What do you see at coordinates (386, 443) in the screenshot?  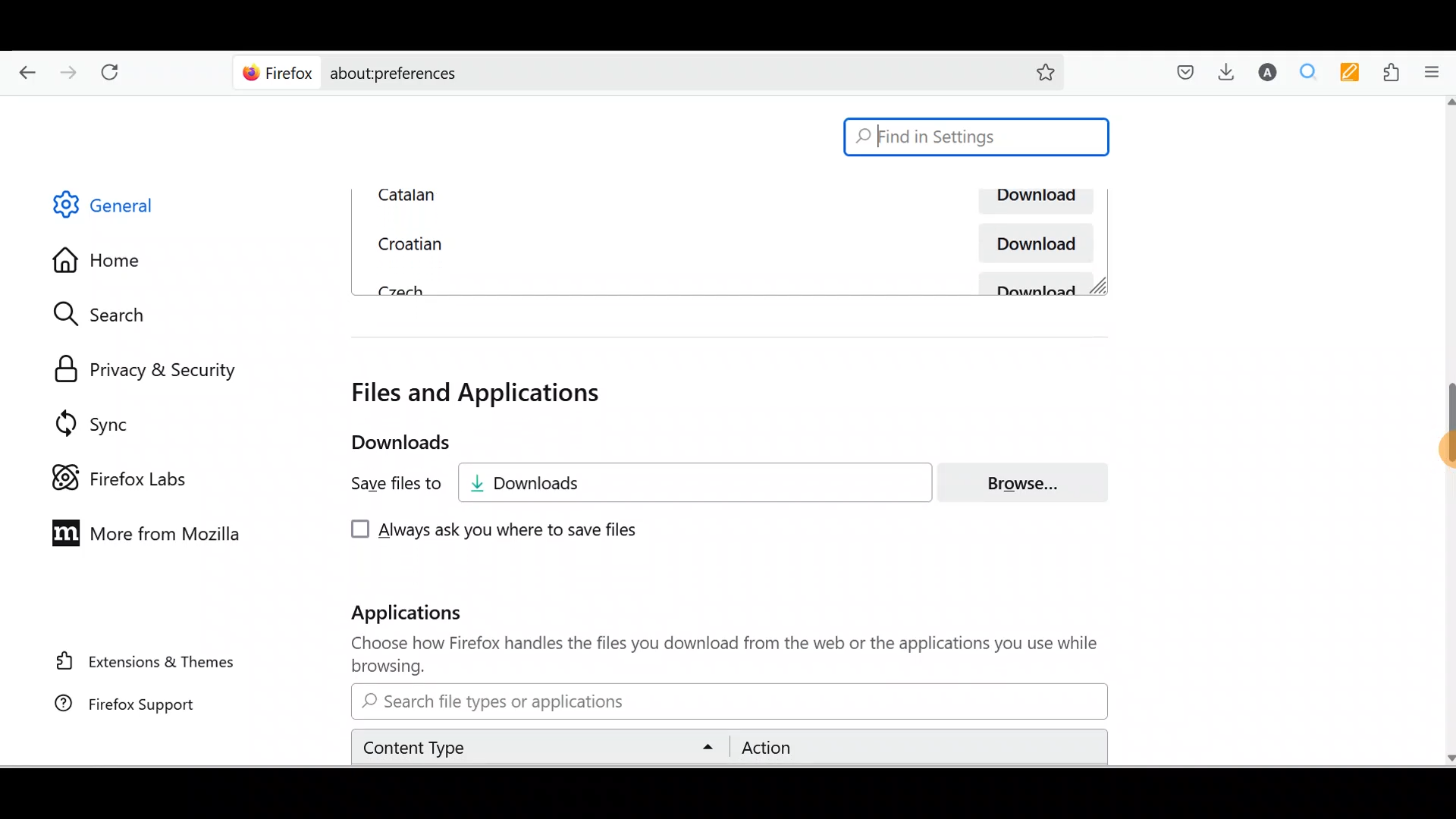 I see `Downloads` at bounding box center [386, 443].